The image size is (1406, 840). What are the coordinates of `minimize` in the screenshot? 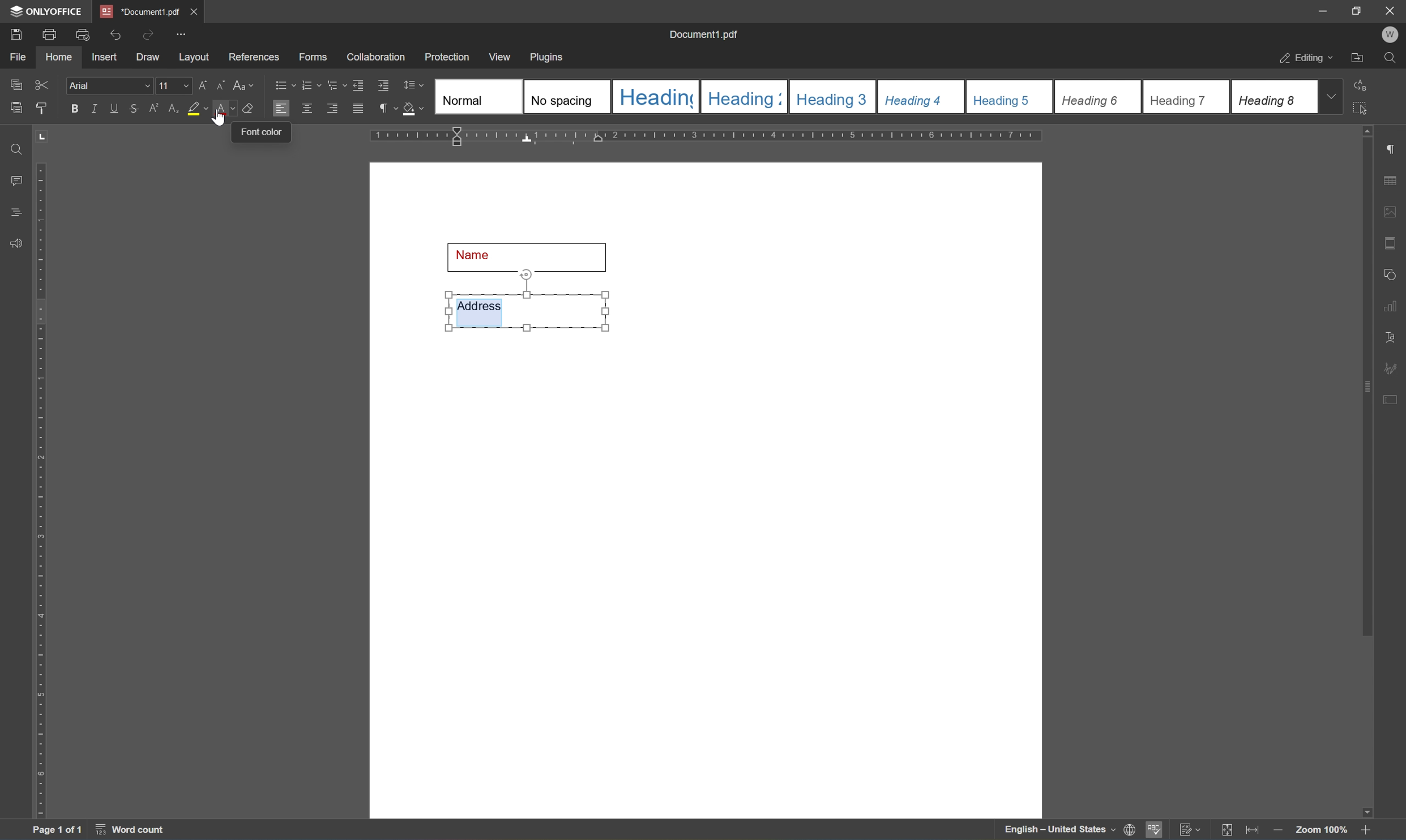 It's located at (1323, 10).